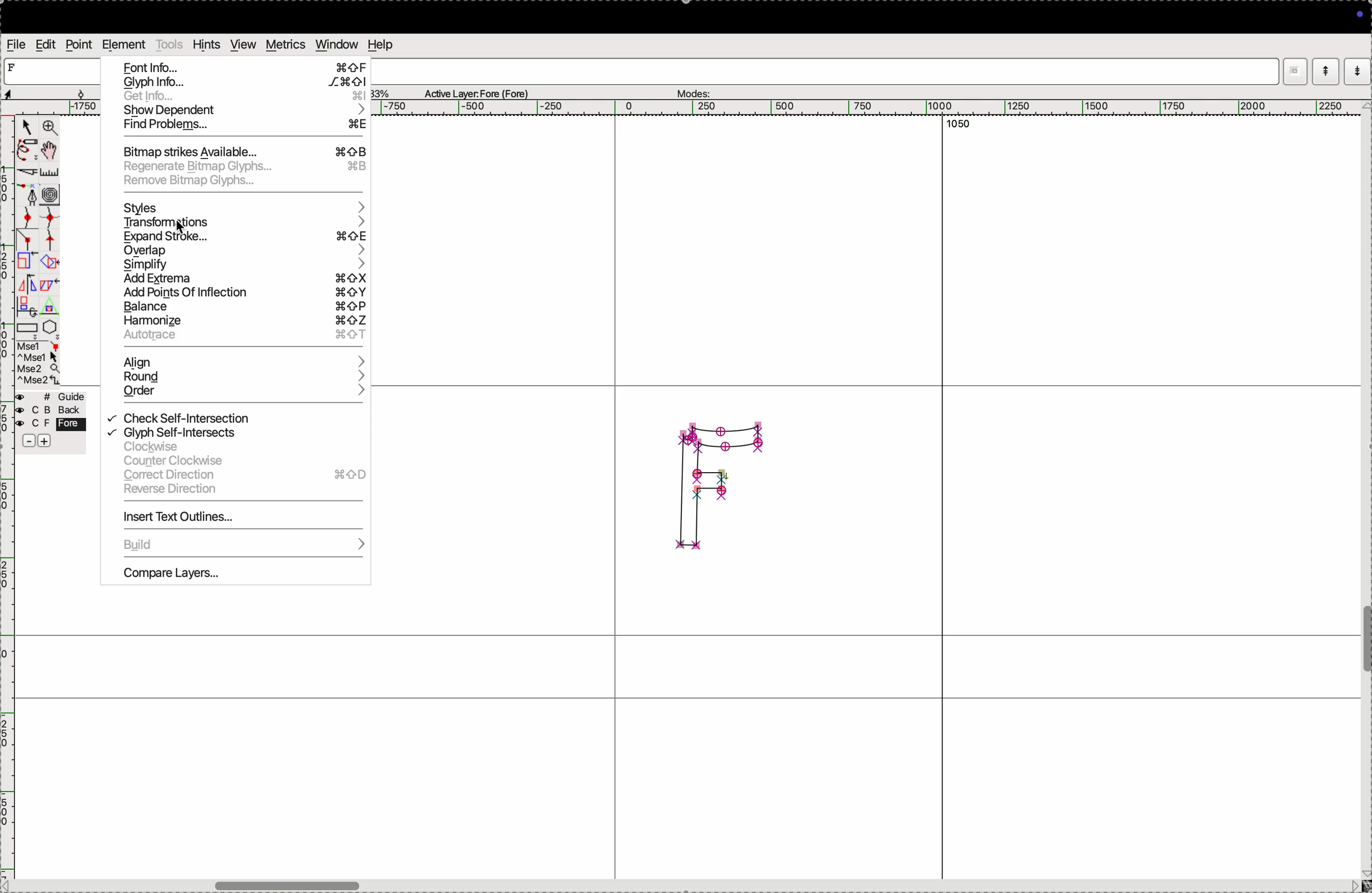 The width and height of the screenshot is (1372, 893). I want to click on aspects, so click(42, 91).